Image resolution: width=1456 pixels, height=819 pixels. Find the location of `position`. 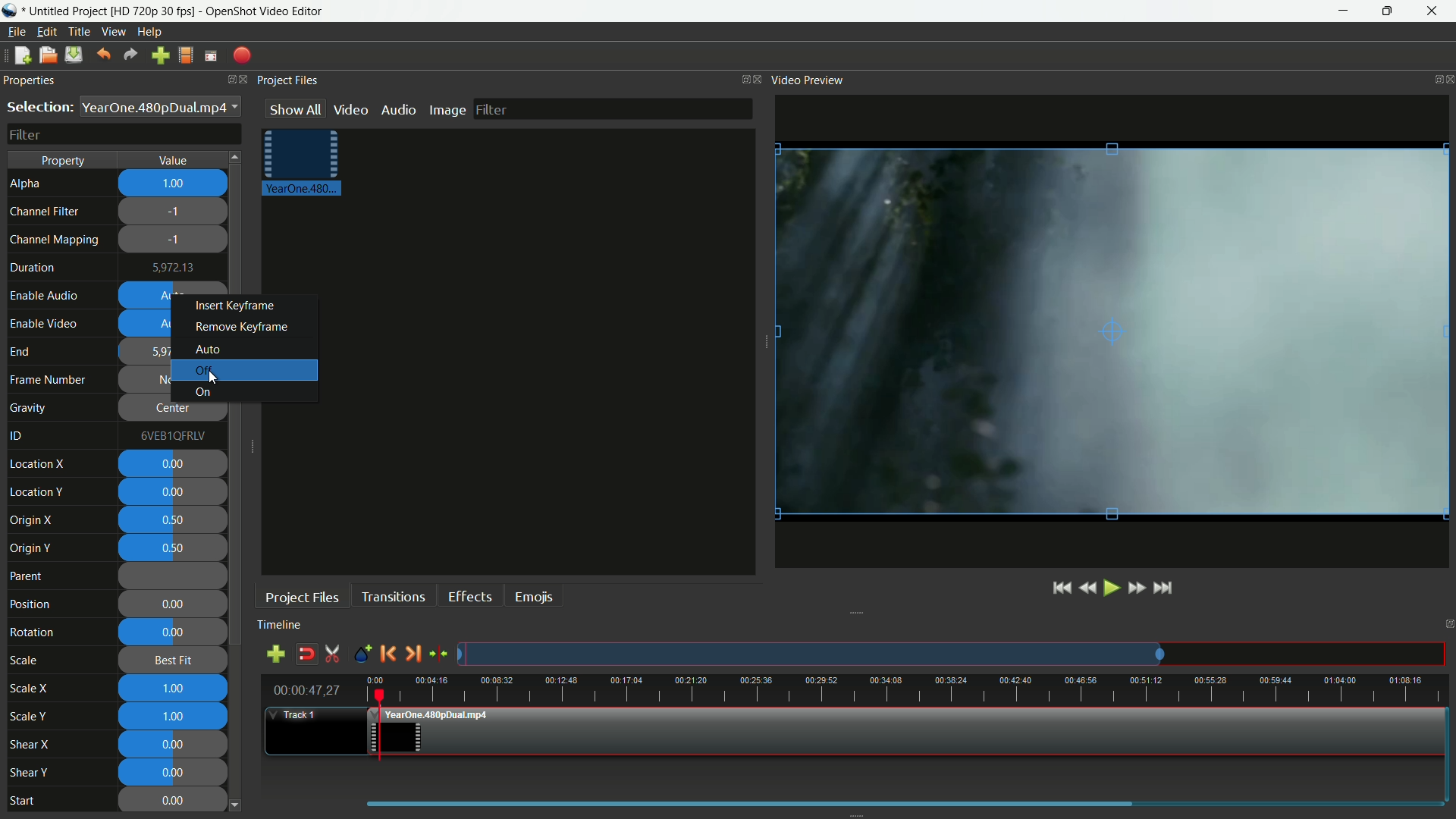

position is located at coordinates (30, 604).